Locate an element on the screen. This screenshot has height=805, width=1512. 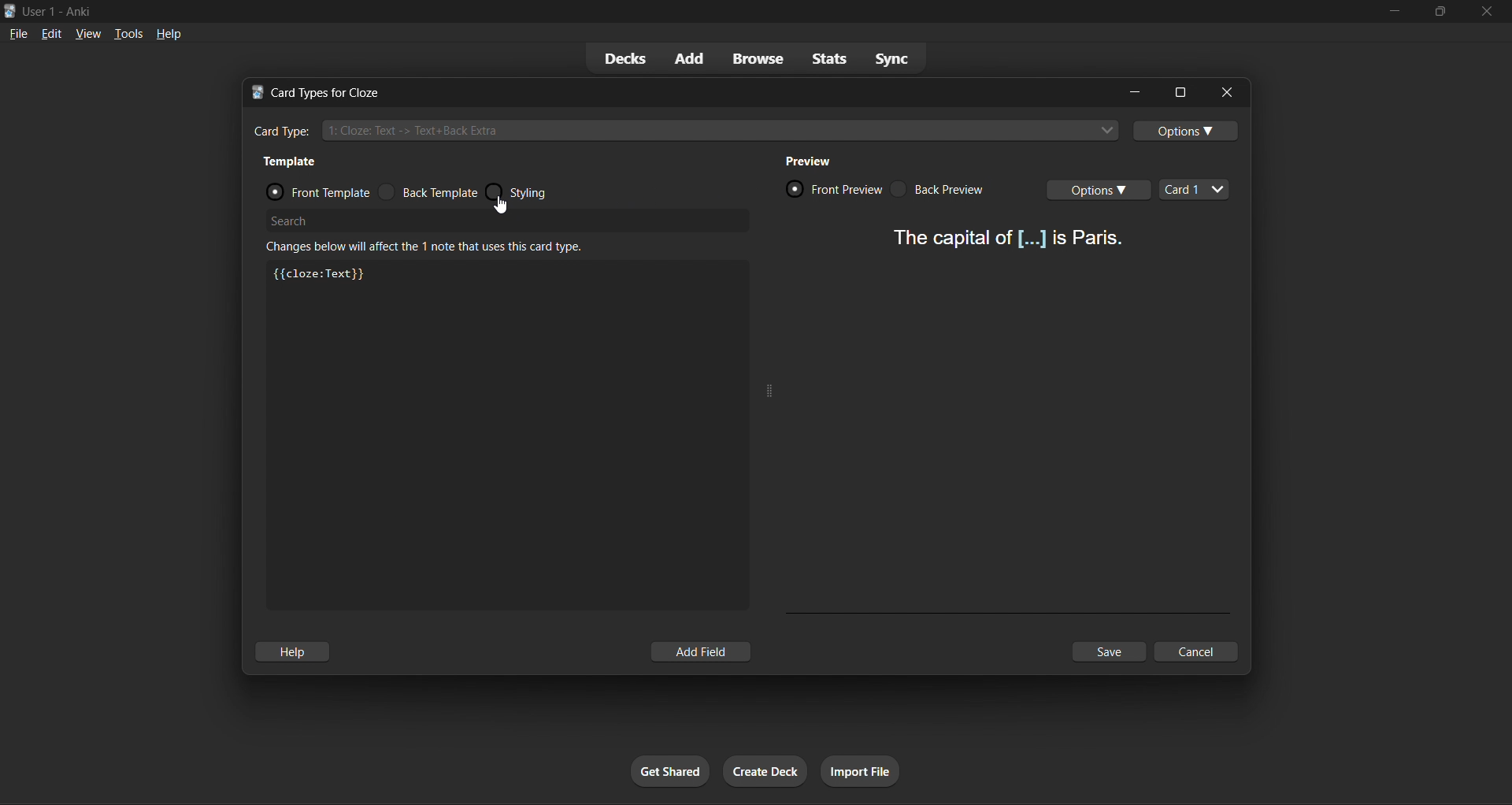
add field is located at coordinates (715, 652).